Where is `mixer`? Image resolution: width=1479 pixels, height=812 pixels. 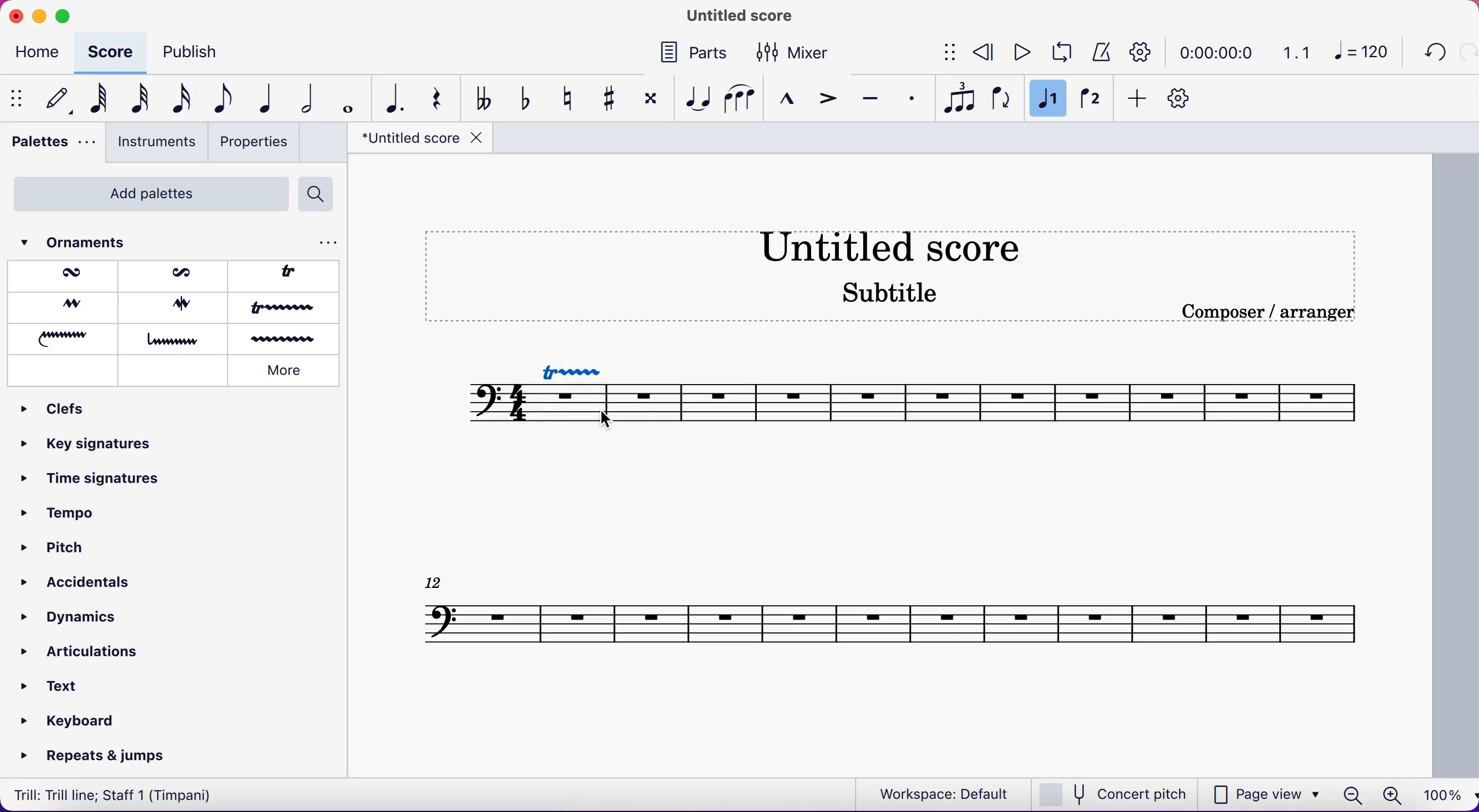
mixer is located at coordinates (801, 52).